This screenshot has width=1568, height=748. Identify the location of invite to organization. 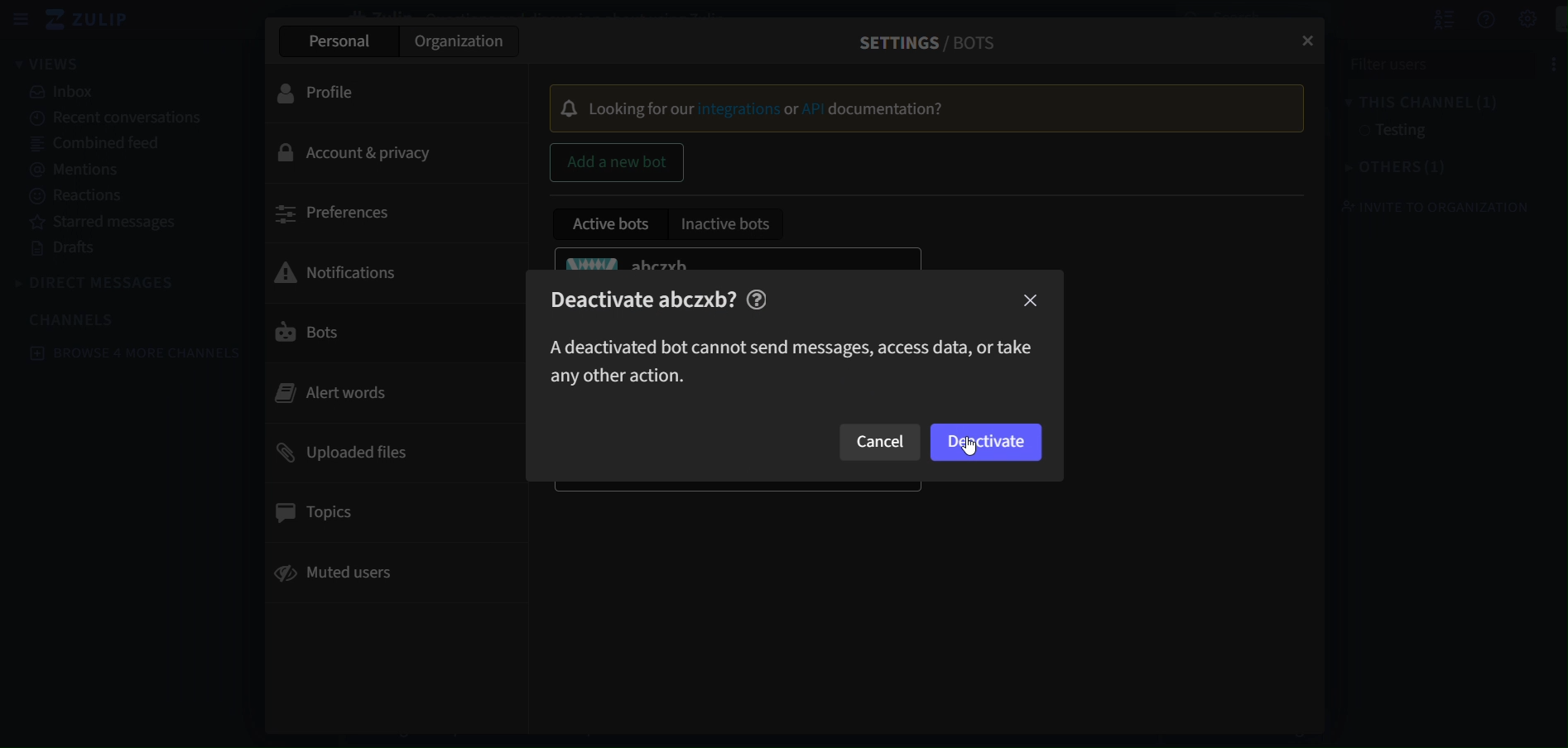
(1425, 206).